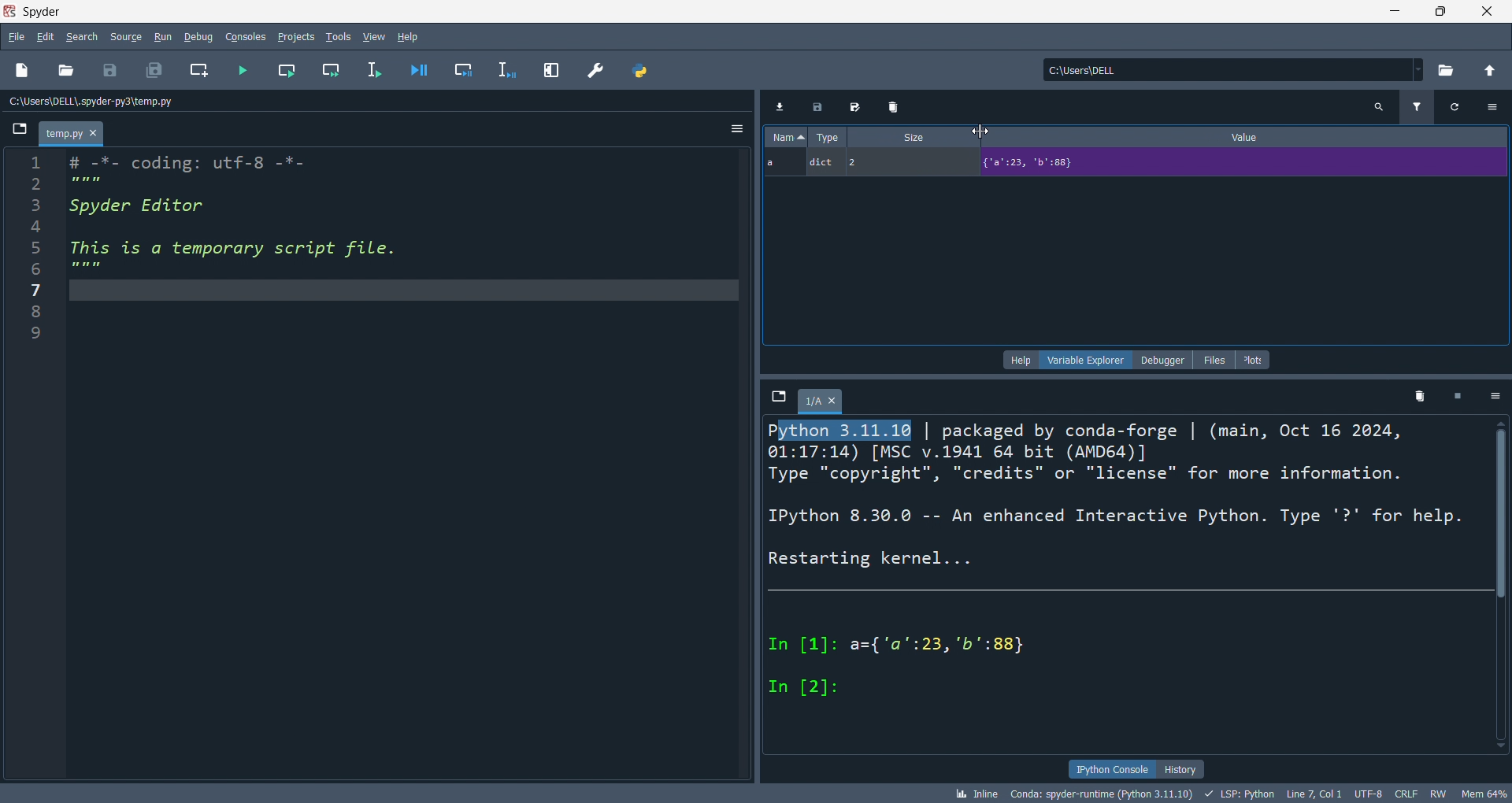 This screenshot has width=1512, height=803. What do you see at coordinates (163, 35) in the screenshot?
I see `run` at bounding box center [163, 35].